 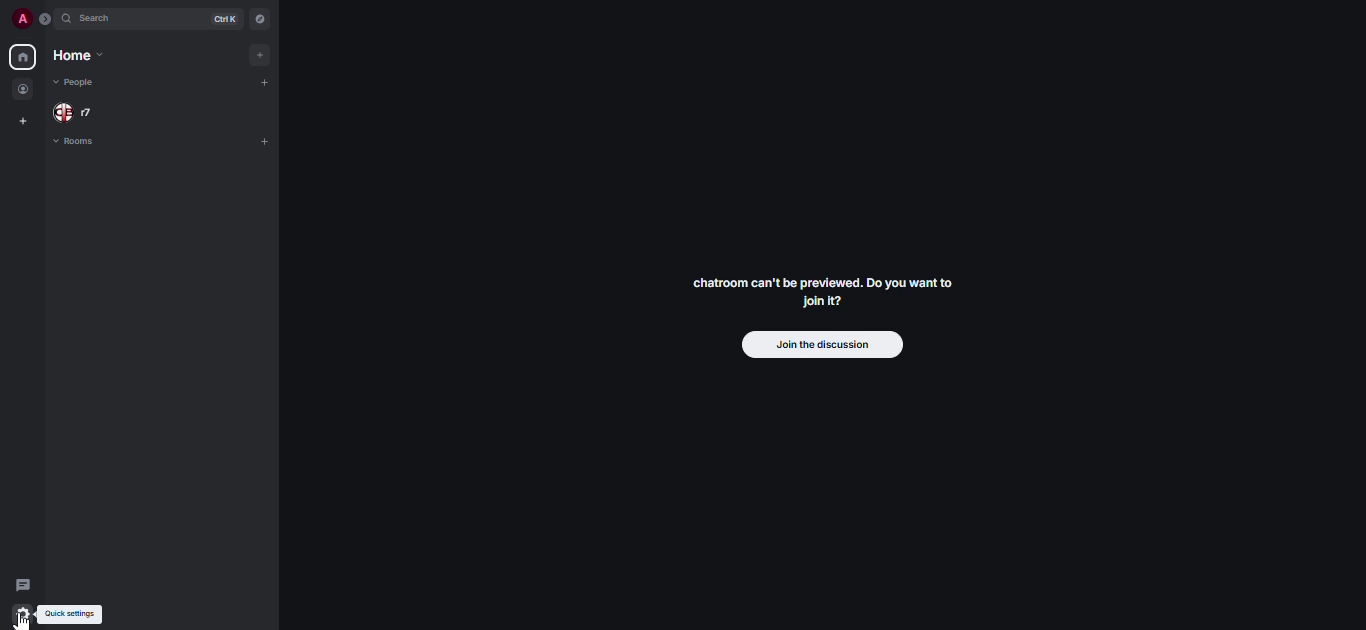 What do you see at coordinates (17, 21) in the screenshot?
I see `profile` at bounding box center [17, 21].